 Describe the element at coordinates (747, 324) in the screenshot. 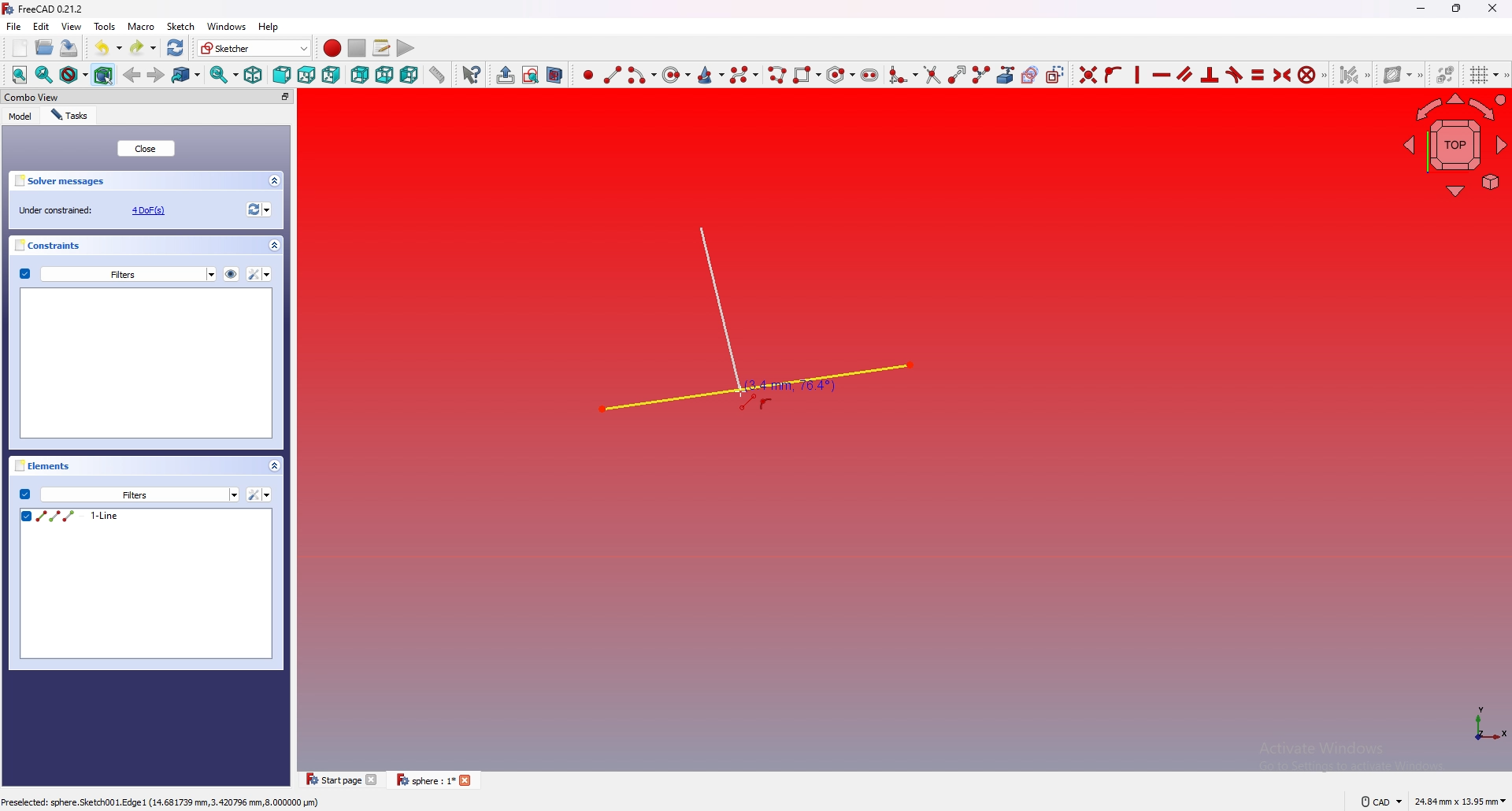

I see `line 2 and line 1` at that location.